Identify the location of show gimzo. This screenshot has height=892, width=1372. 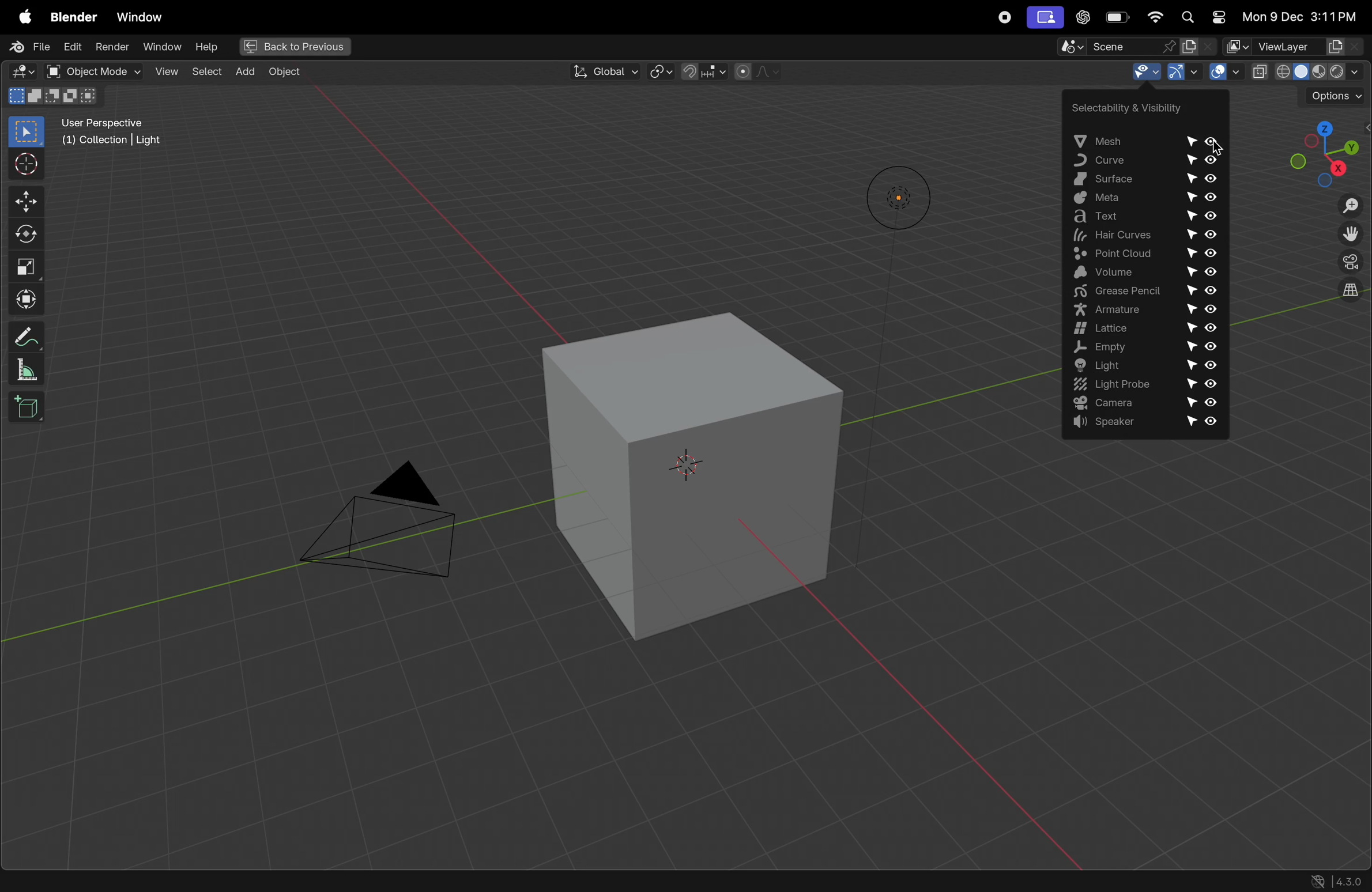
(1181, 73).